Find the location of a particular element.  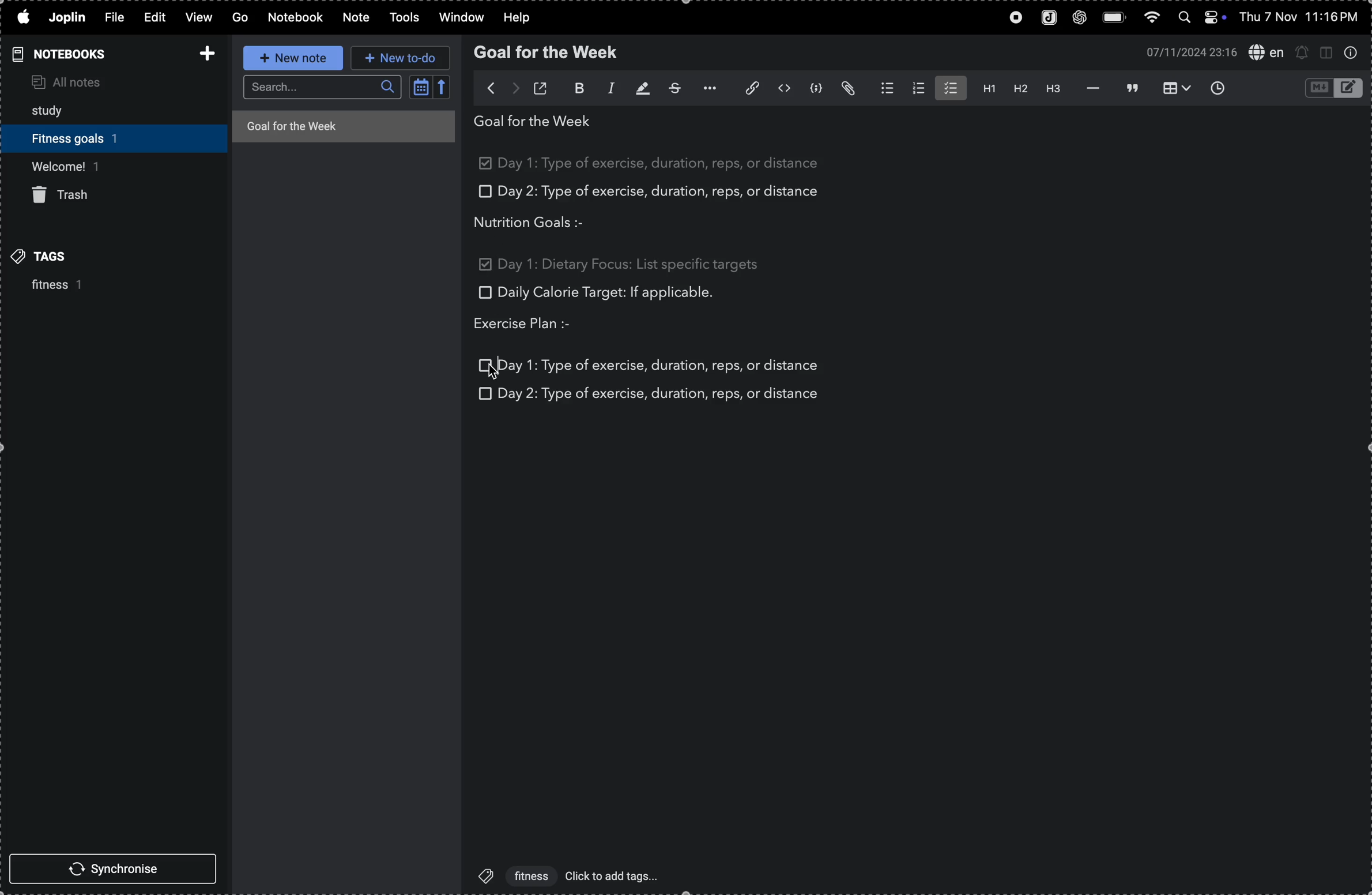

exercise plan :- is located at coordinates (534, 325).